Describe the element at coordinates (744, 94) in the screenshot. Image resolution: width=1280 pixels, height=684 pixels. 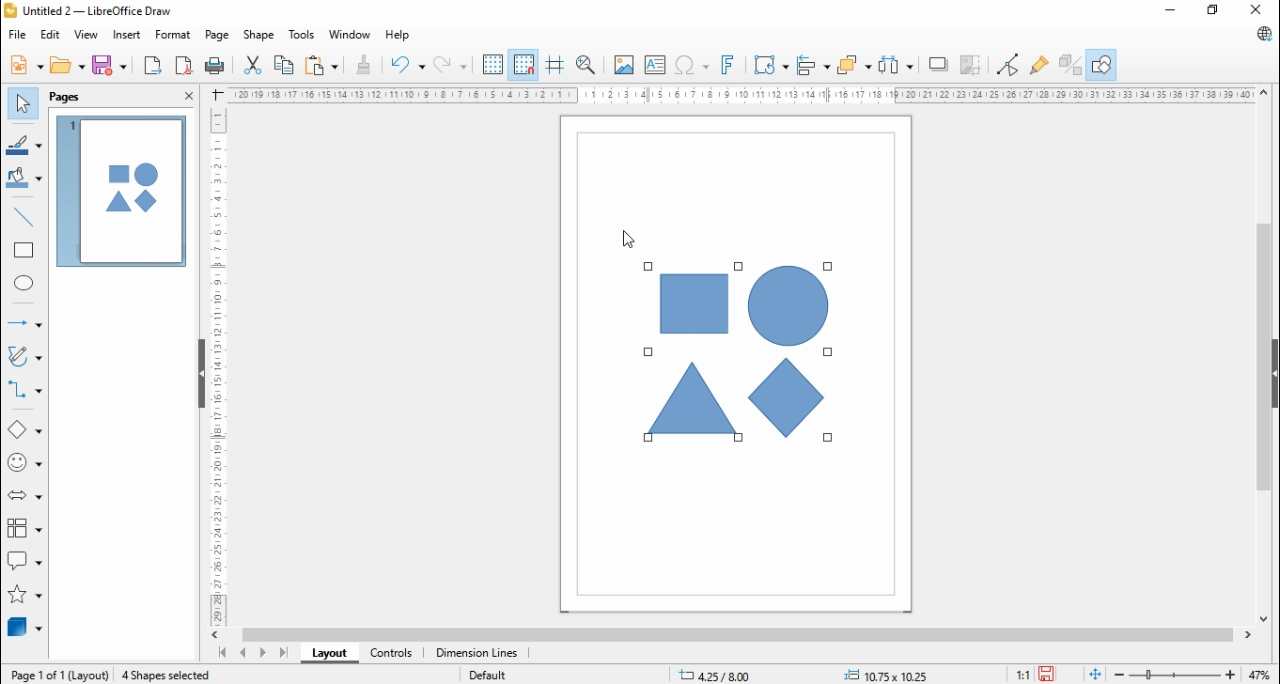
I see `horizontal scale` at that location.